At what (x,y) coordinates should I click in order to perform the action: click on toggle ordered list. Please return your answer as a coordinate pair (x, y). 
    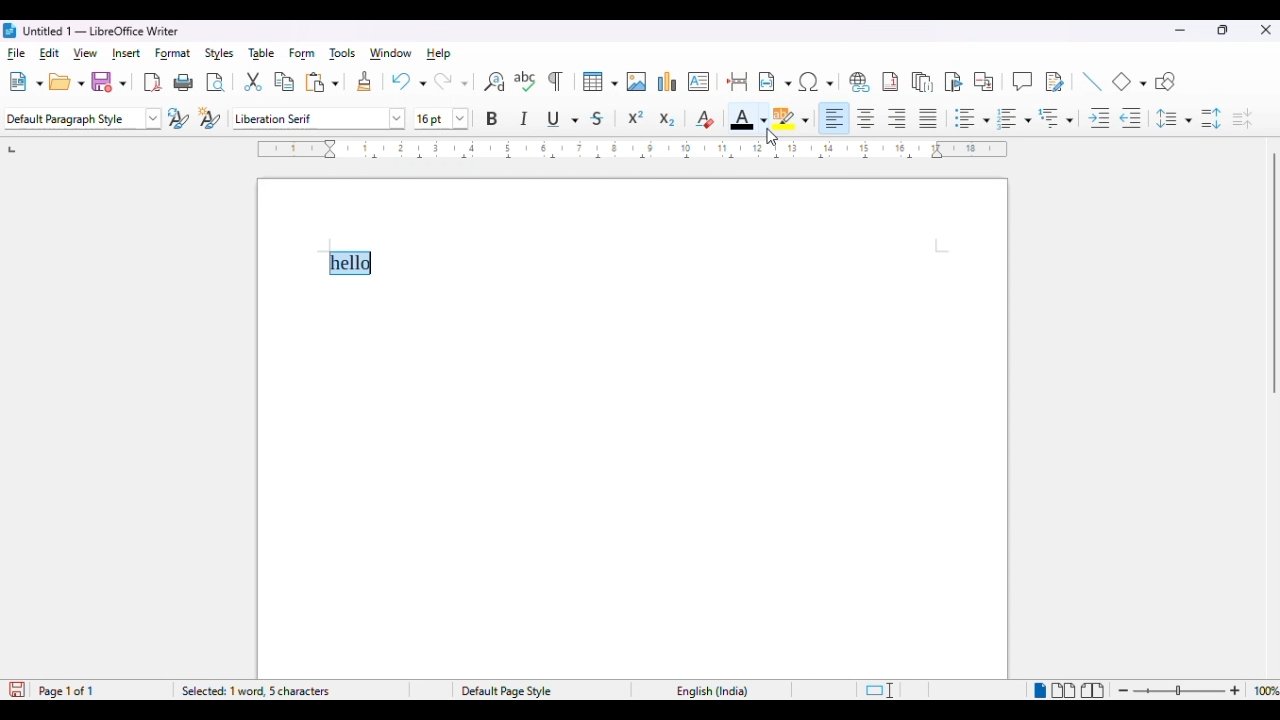
    Looking at the image, I should click on (1014, 118).